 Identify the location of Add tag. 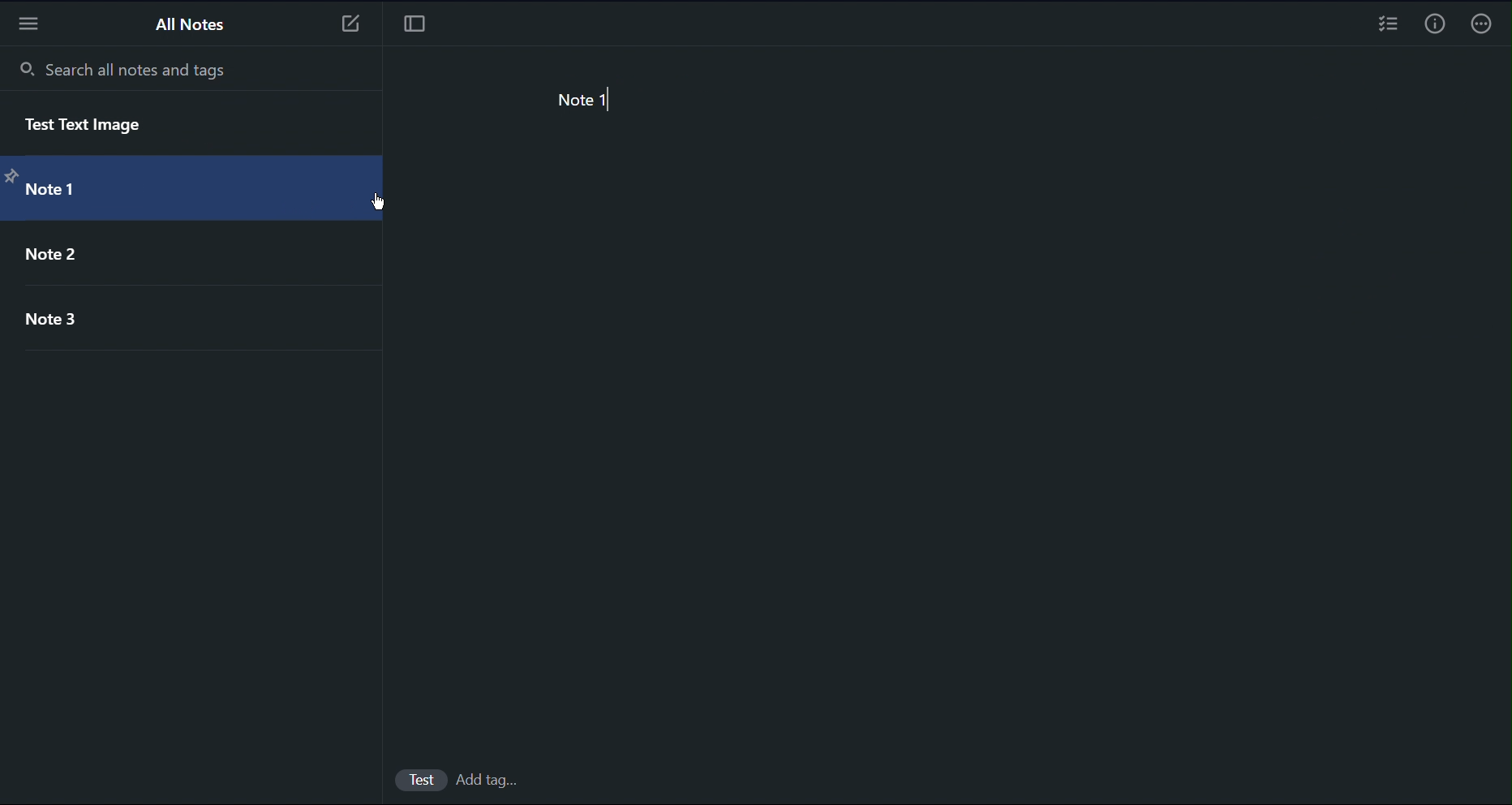
(495, 781).